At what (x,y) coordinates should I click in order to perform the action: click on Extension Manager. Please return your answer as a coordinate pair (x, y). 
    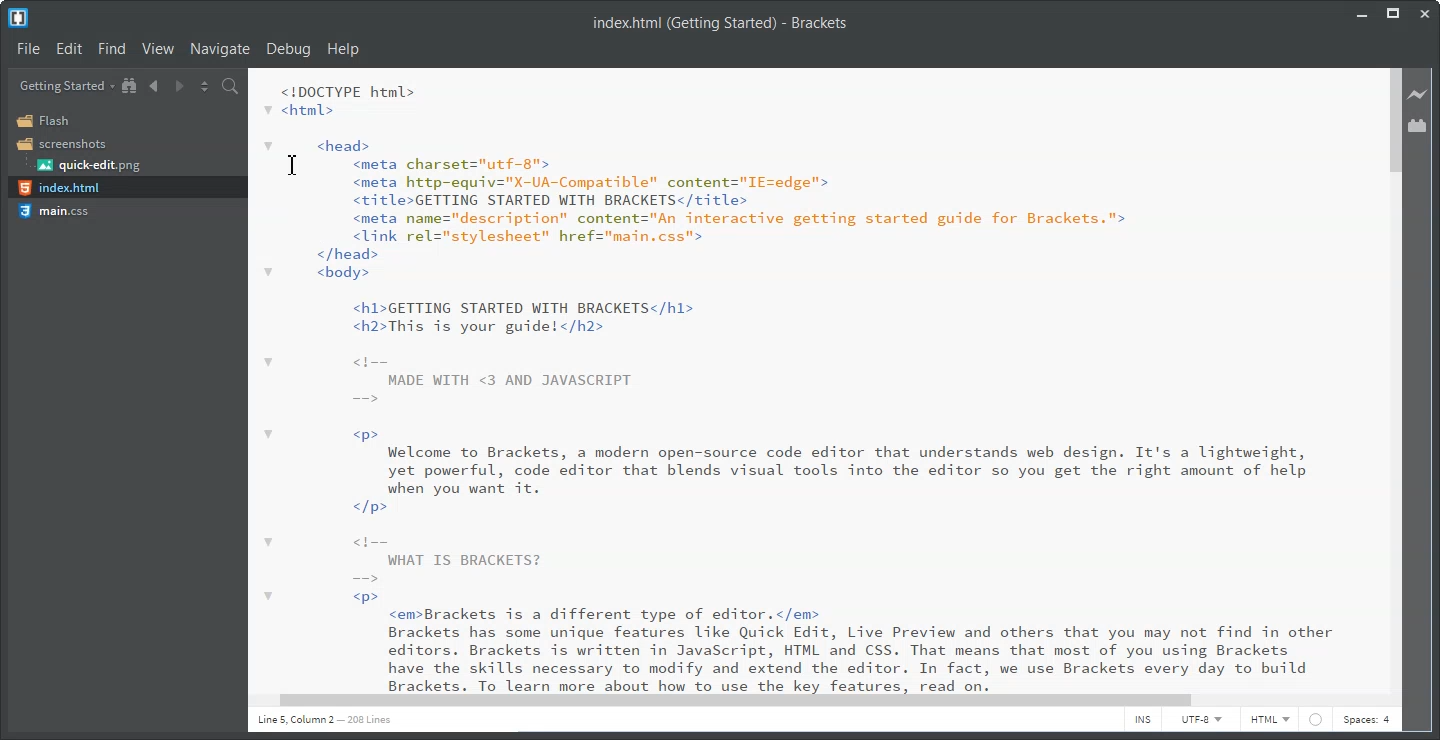
    Looking at the image, I should click on (1420, 127).